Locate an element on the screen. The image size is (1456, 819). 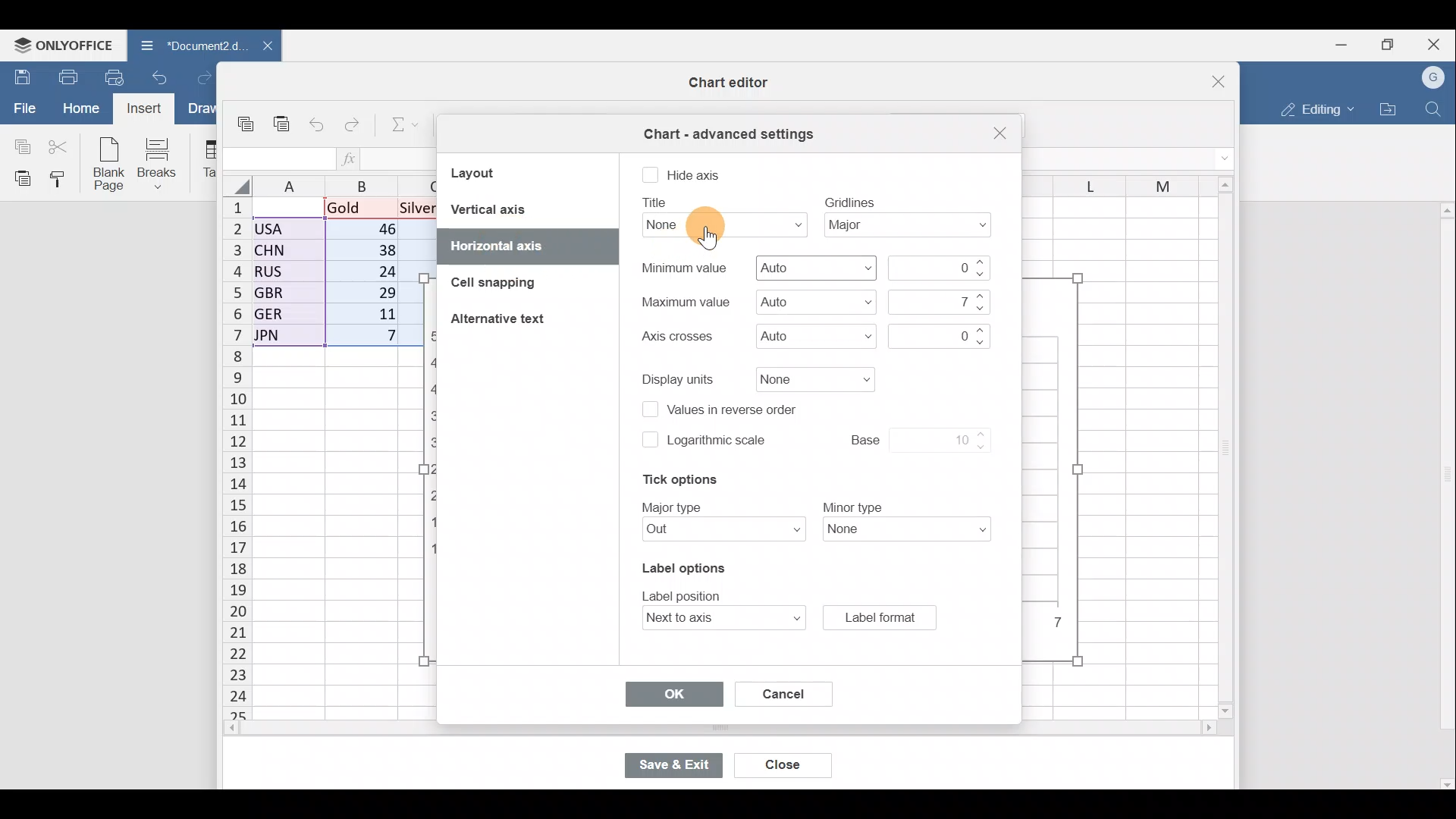
Undo is located at coordinates (318, 121).